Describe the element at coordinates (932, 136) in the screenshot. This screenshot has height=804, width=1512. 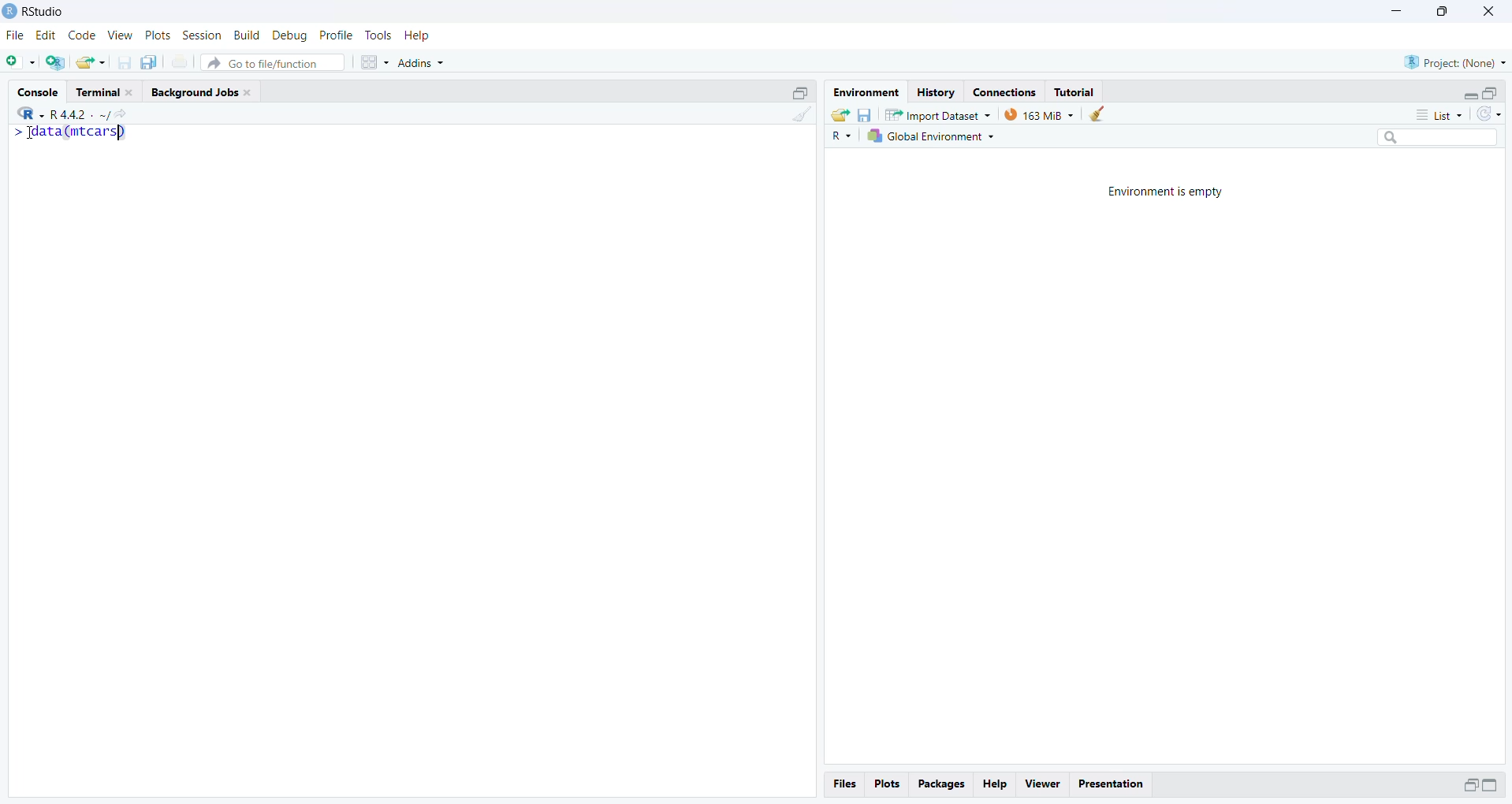
I see `Global Environment` at that location.